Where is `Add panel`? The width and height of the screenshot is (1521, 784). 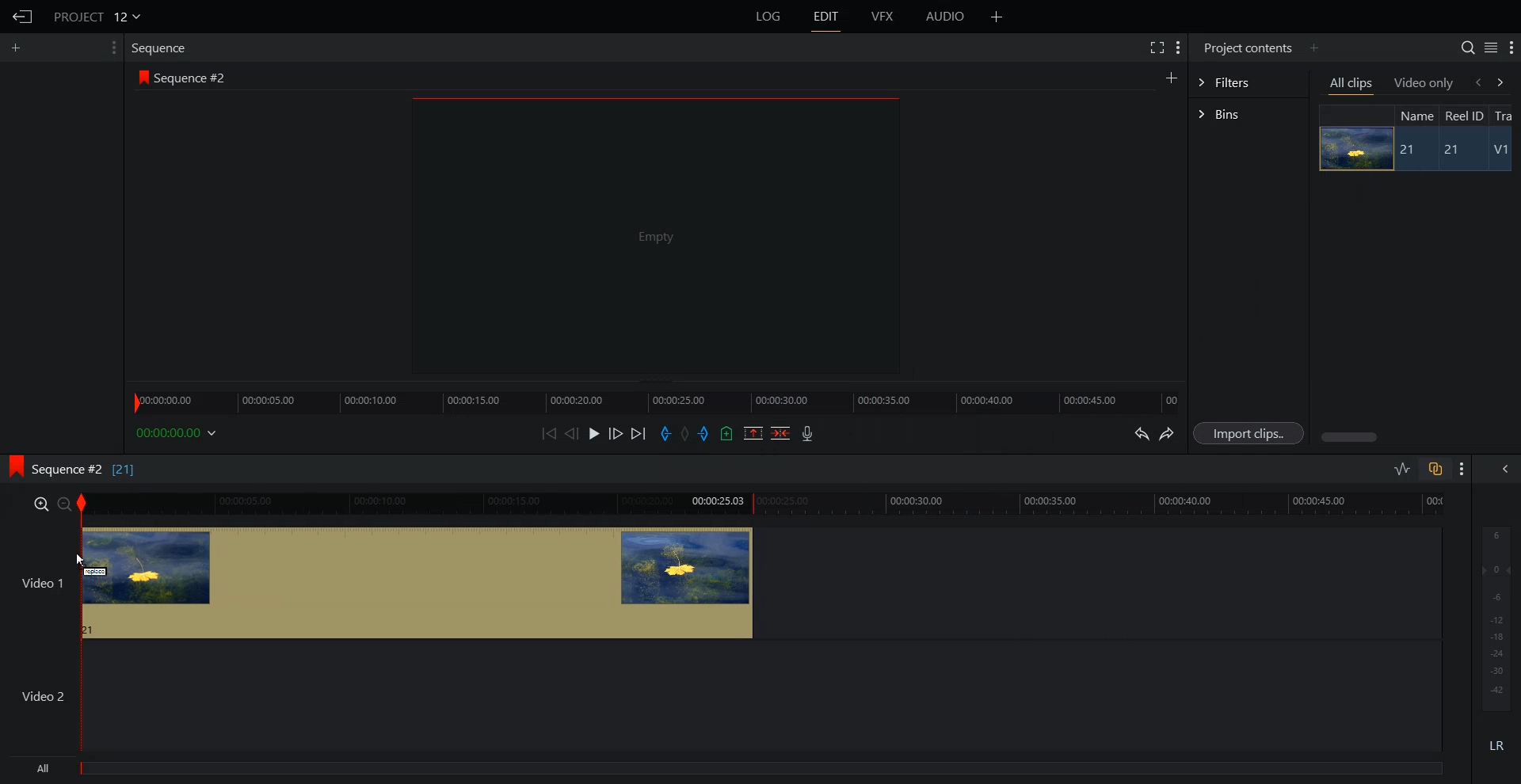 Add panel is located at coordinates (997, 17).